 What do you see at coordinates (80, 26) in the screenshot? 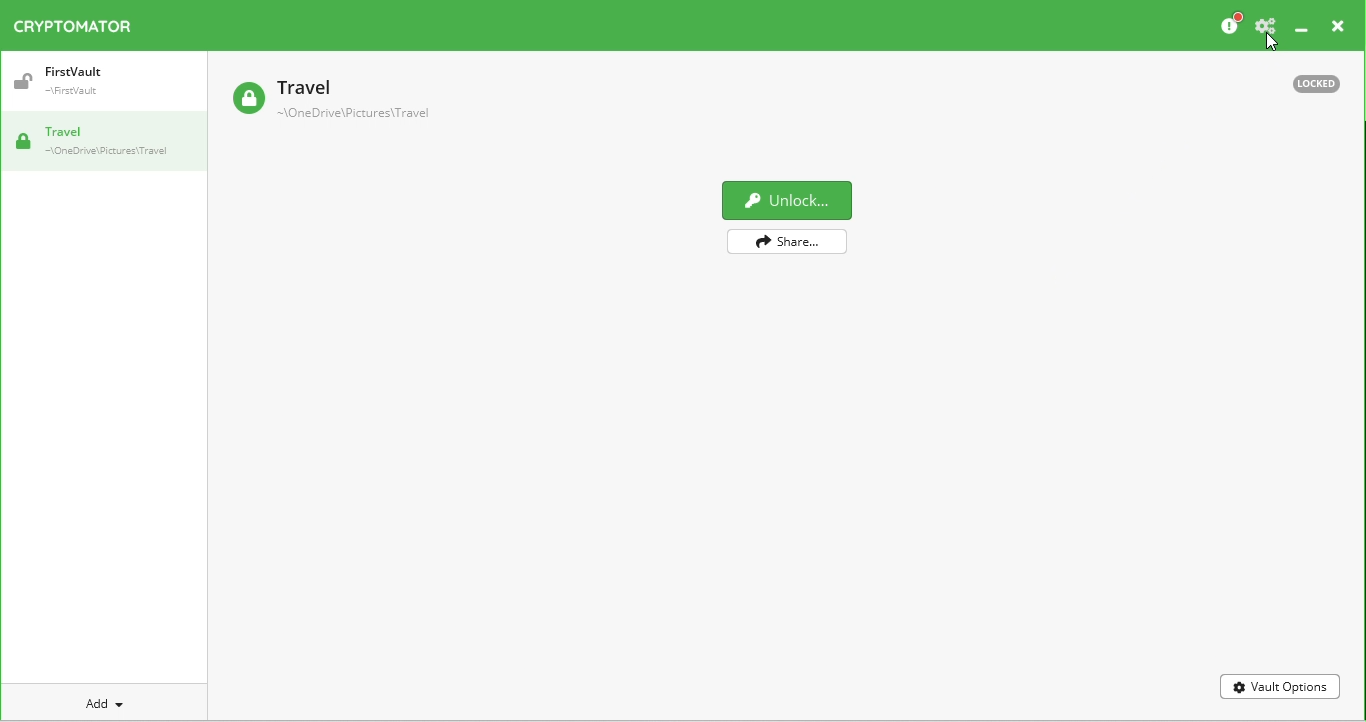
I see `Cryptomator` at bounding box center [80, 26].